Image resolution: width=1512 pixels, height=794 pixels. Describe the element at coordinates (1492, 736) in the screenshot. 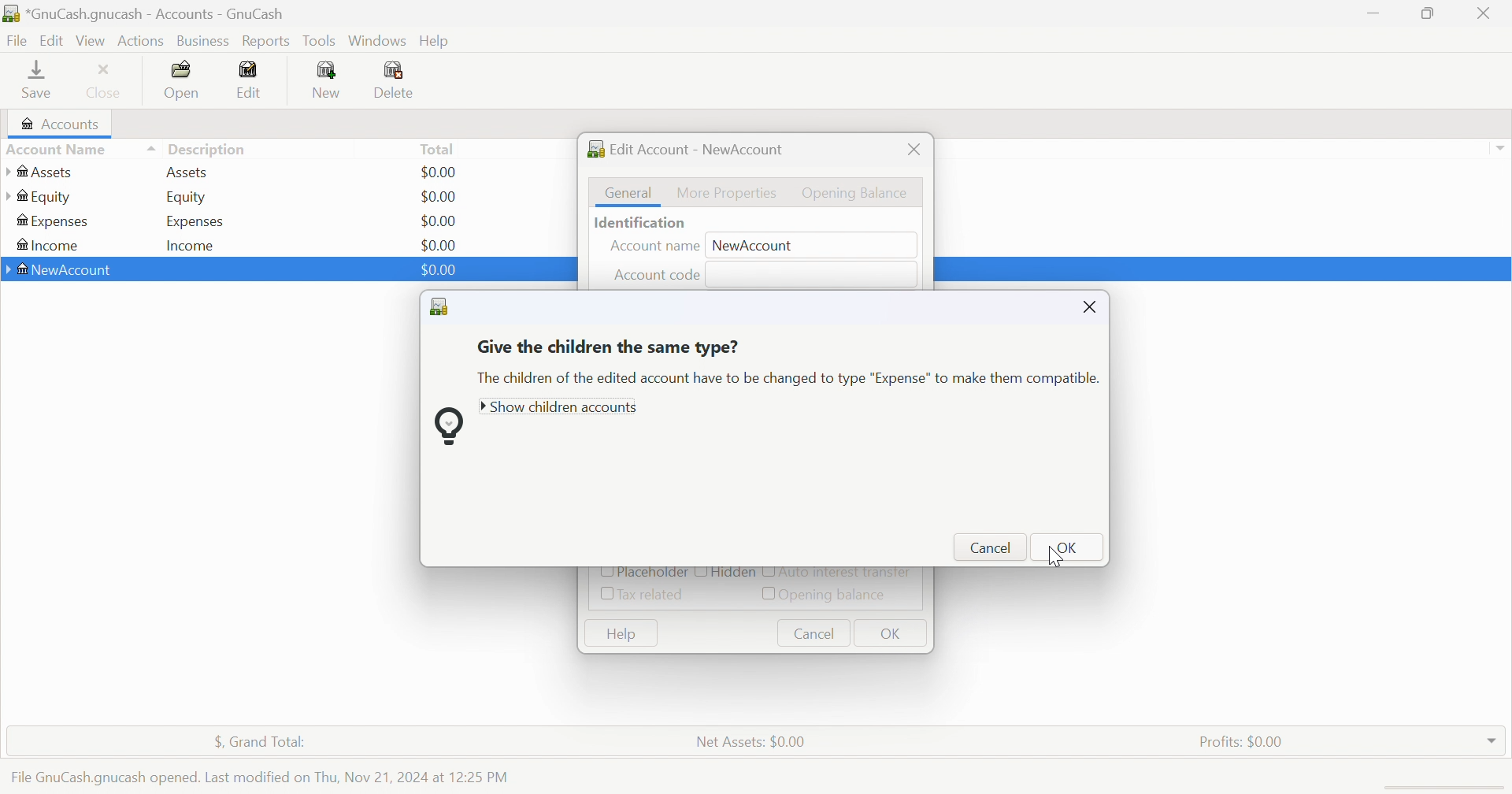

I see `Drop Down` at that location.